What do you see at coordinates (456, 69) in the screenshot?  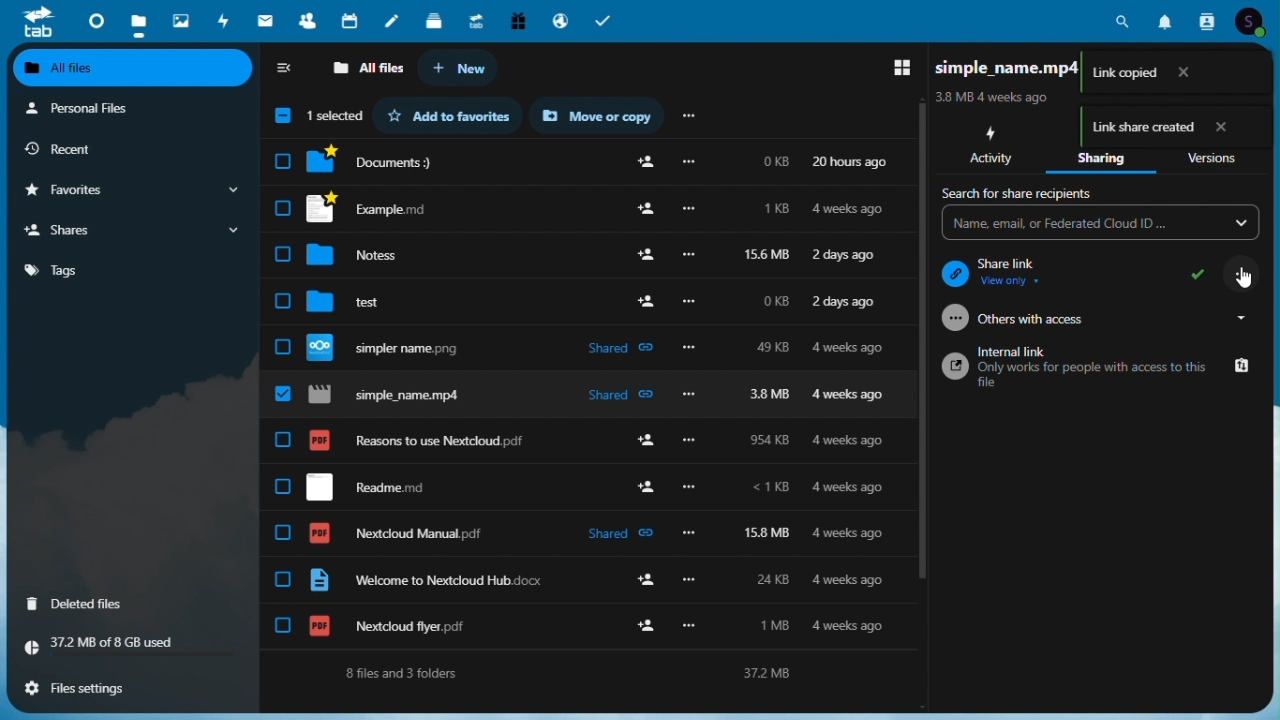 I see `new` at bounding box center [456, 69].